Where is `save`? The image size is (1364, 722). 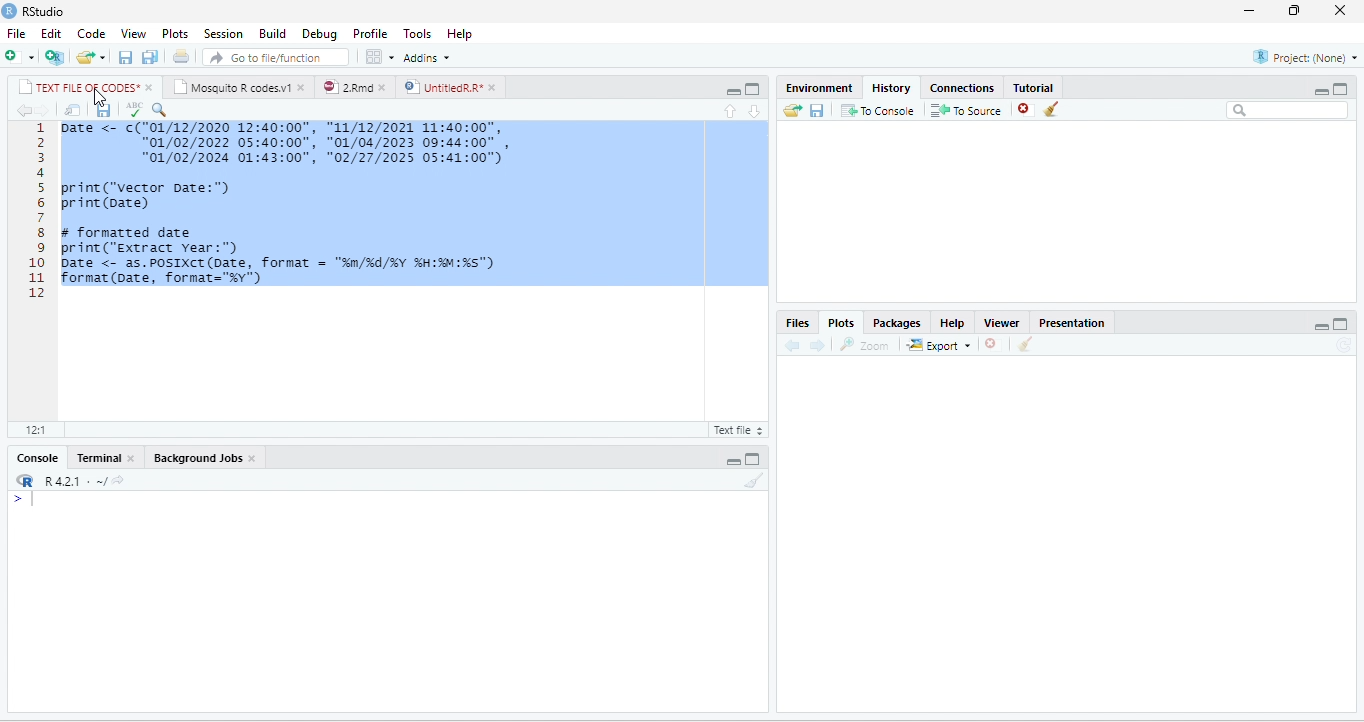 save is located at coordinates (817, 110).